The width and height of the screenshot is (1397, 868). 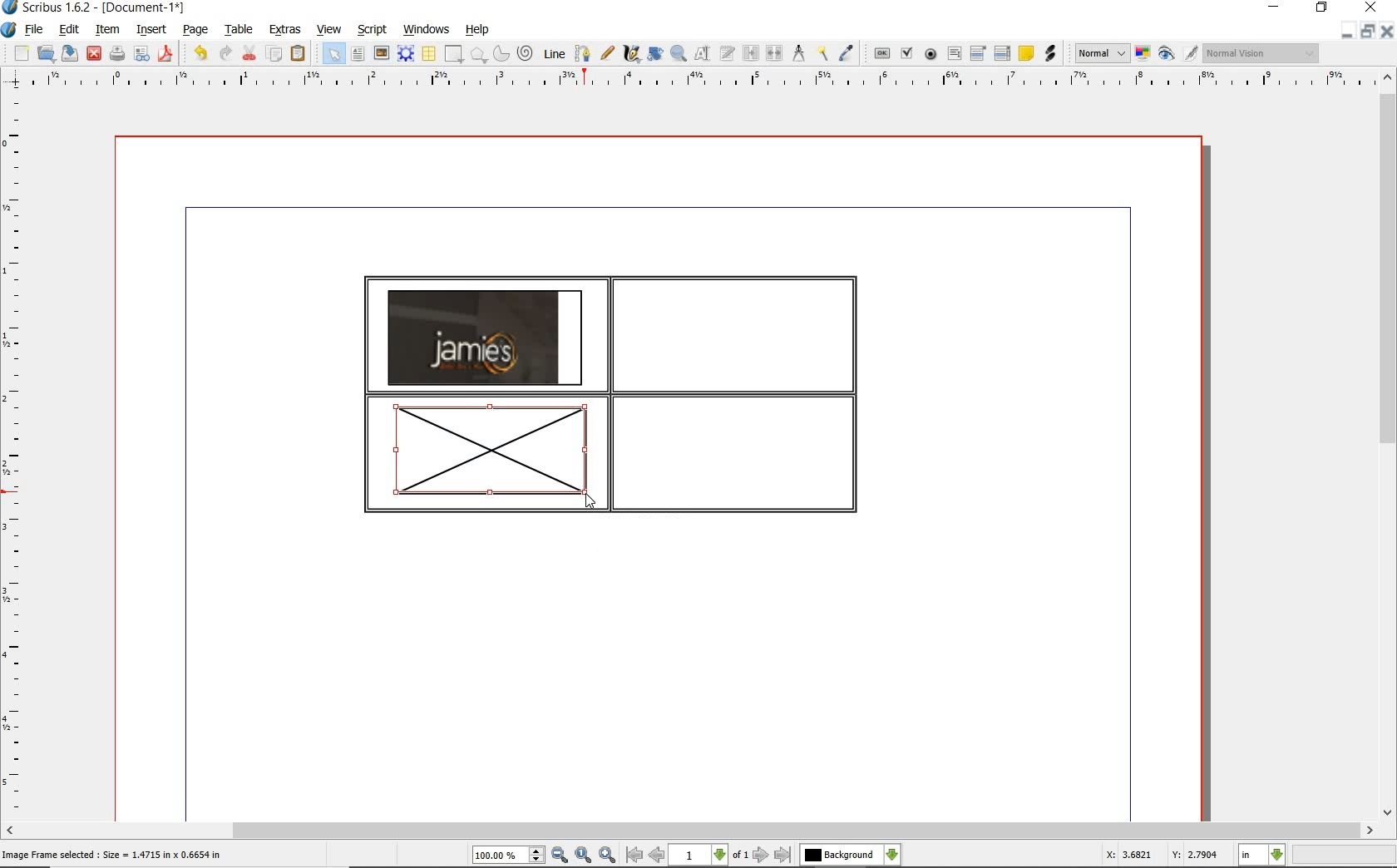 I want to click on calligraphic line, so click(x=632, y=54).